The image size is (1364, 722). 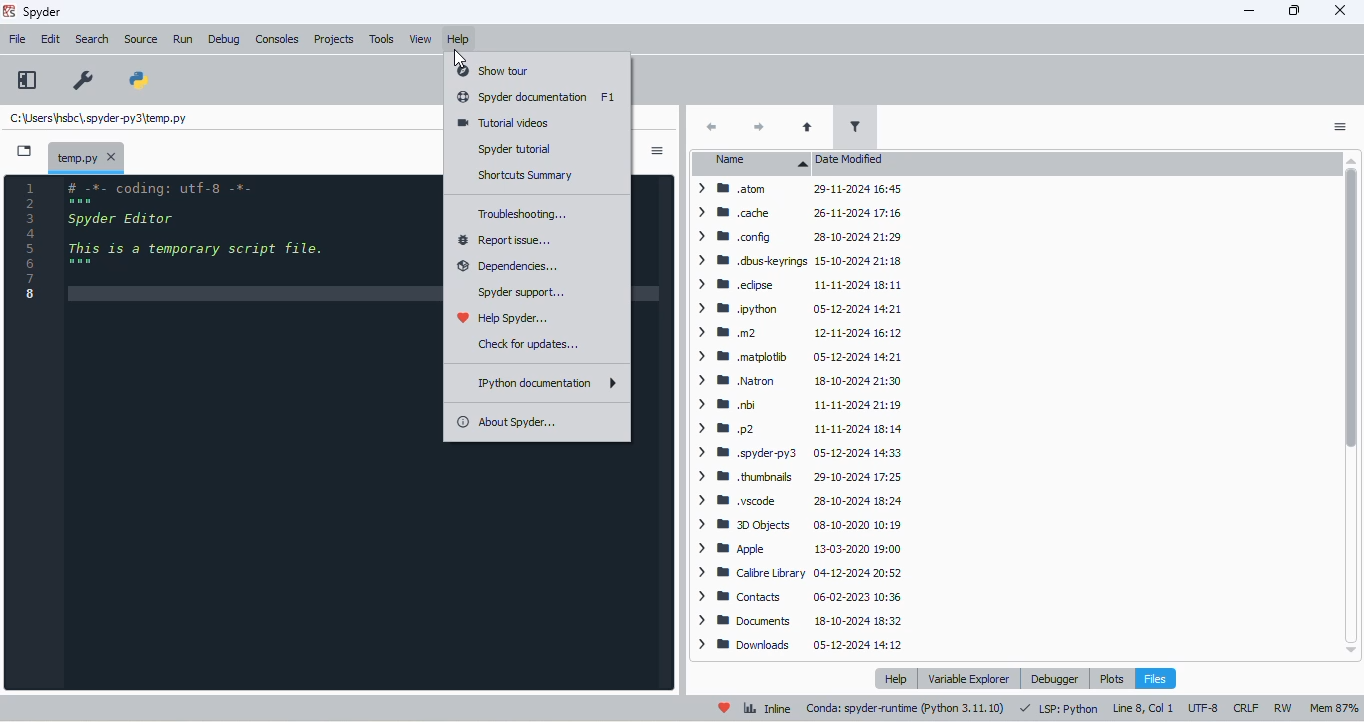 I want to click on > B® .pvthon 05-12-2024 14:21, so click(x=796, y=306).